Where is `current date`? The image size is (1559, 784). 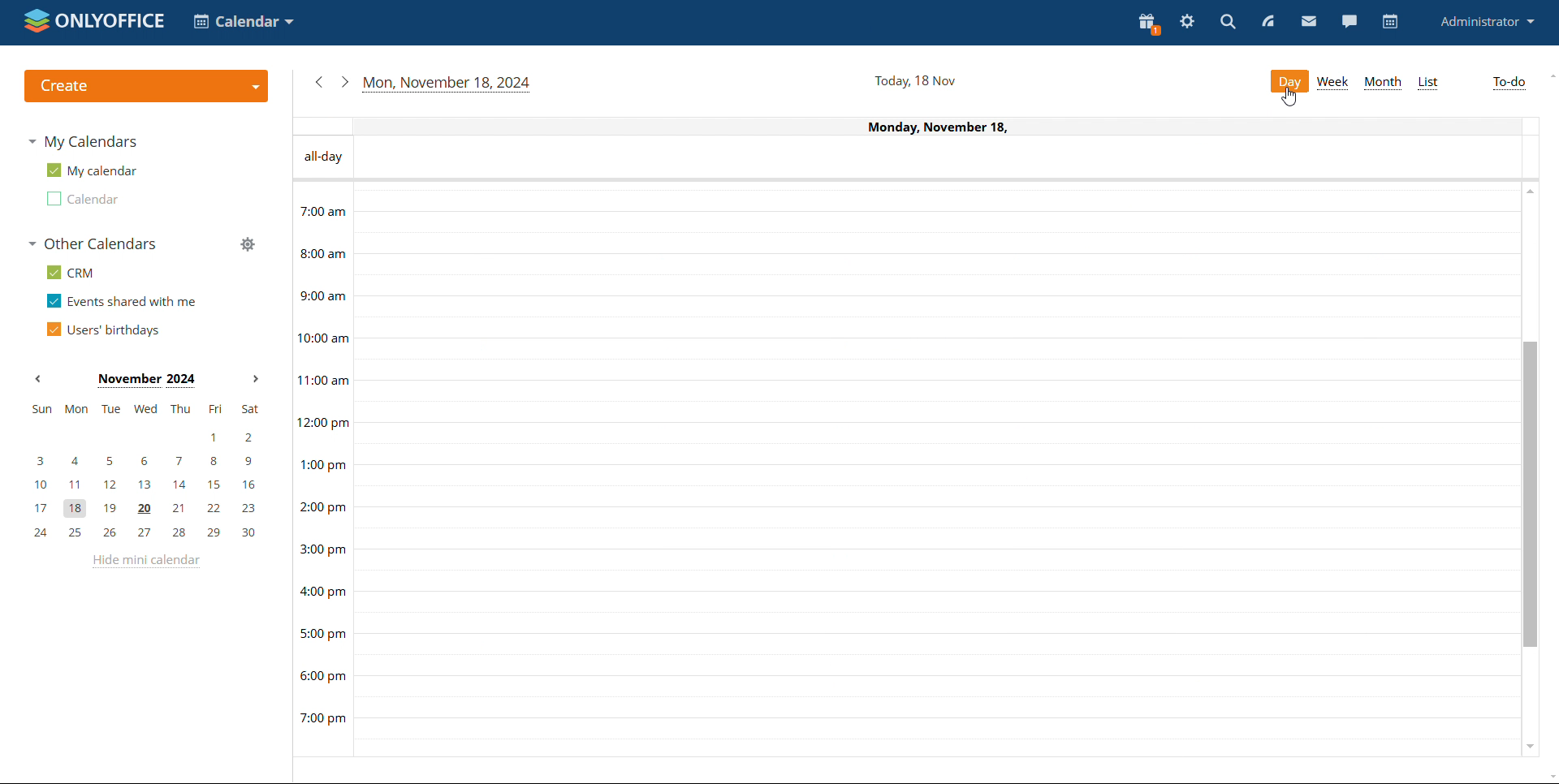 current date is located at coordinates (914, 80).